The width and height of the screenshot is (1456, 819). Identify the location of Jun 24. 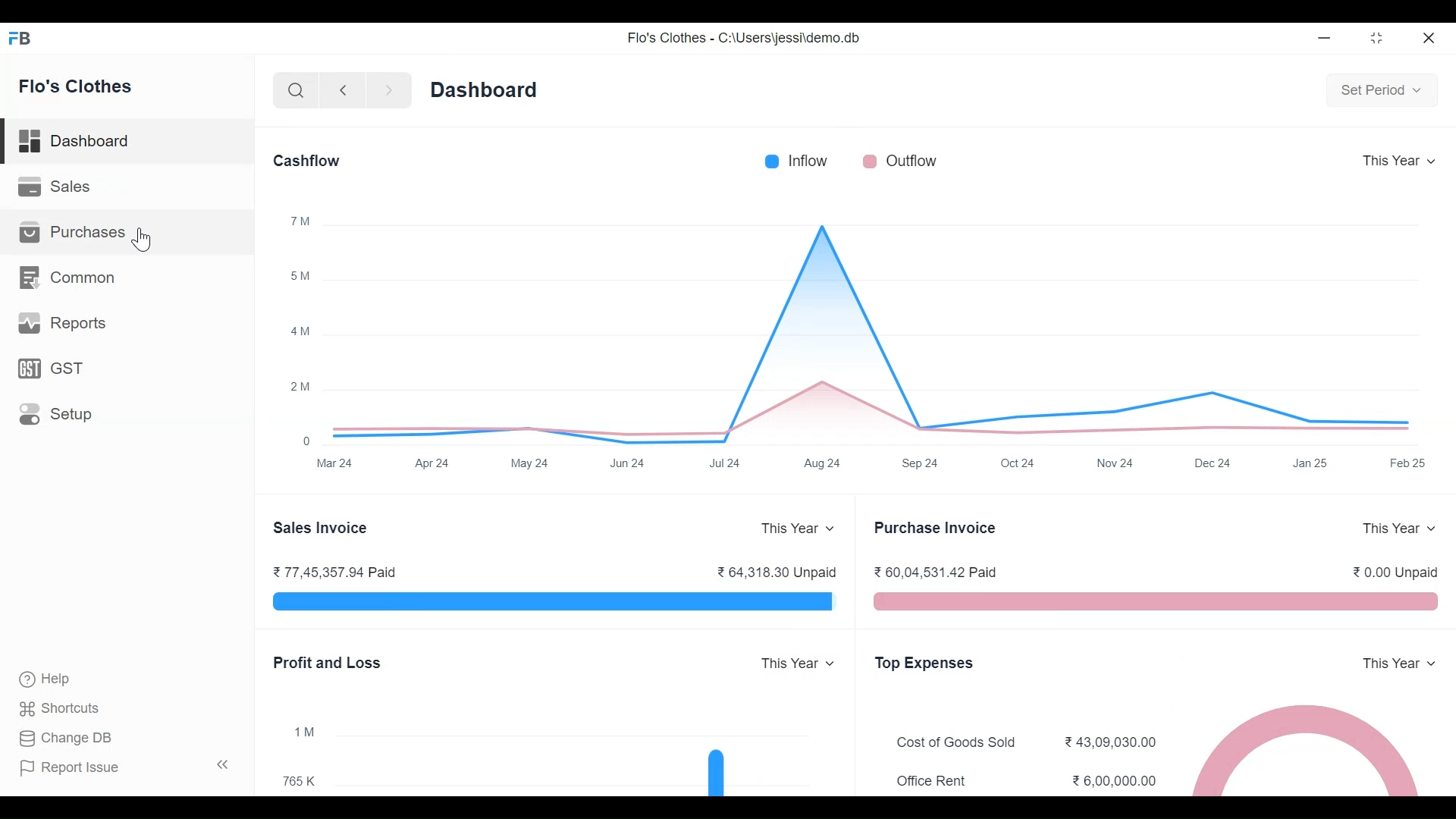
(629, 463).